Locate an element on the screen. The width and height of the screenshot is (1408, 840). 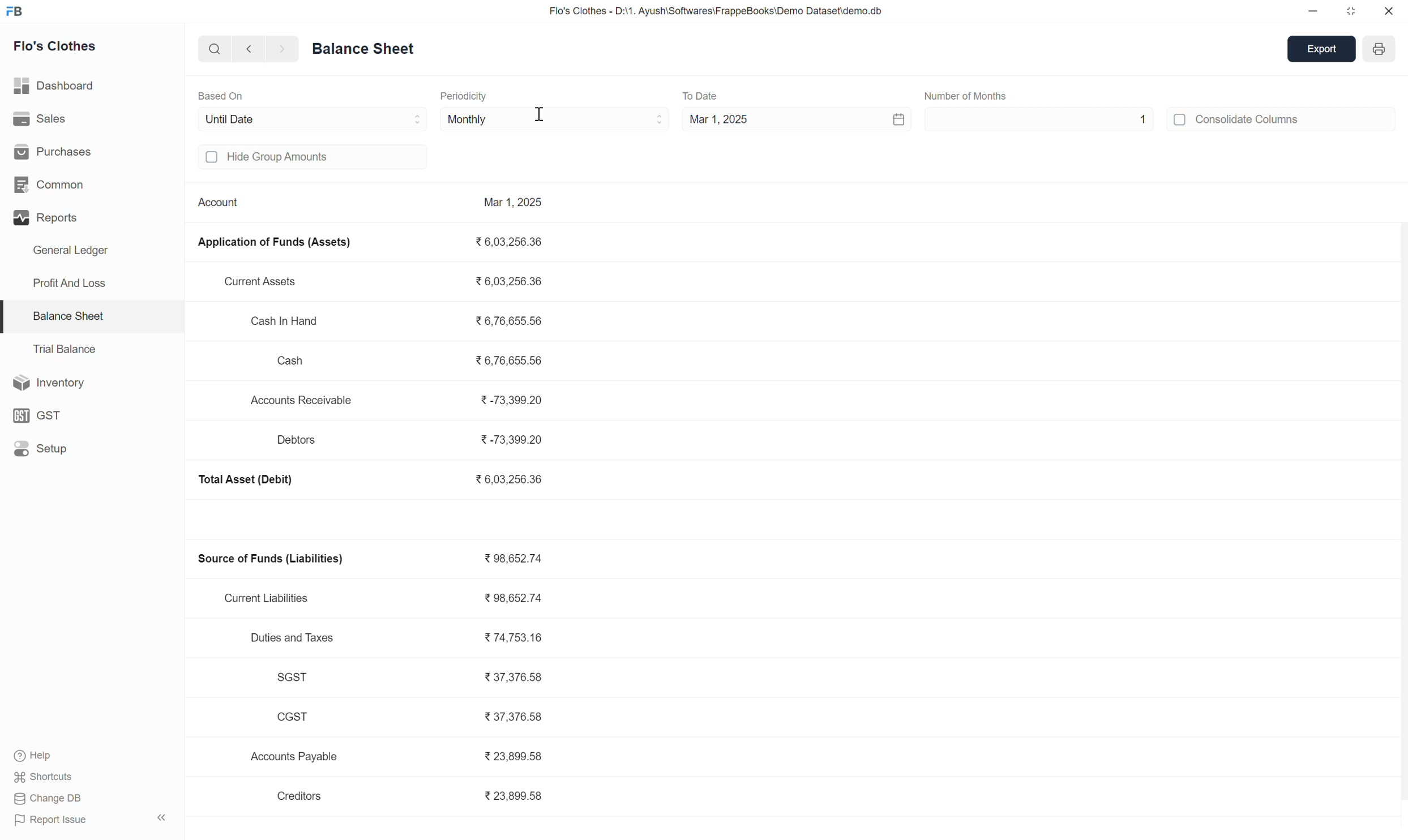
off is located at coordinates (213, 158).